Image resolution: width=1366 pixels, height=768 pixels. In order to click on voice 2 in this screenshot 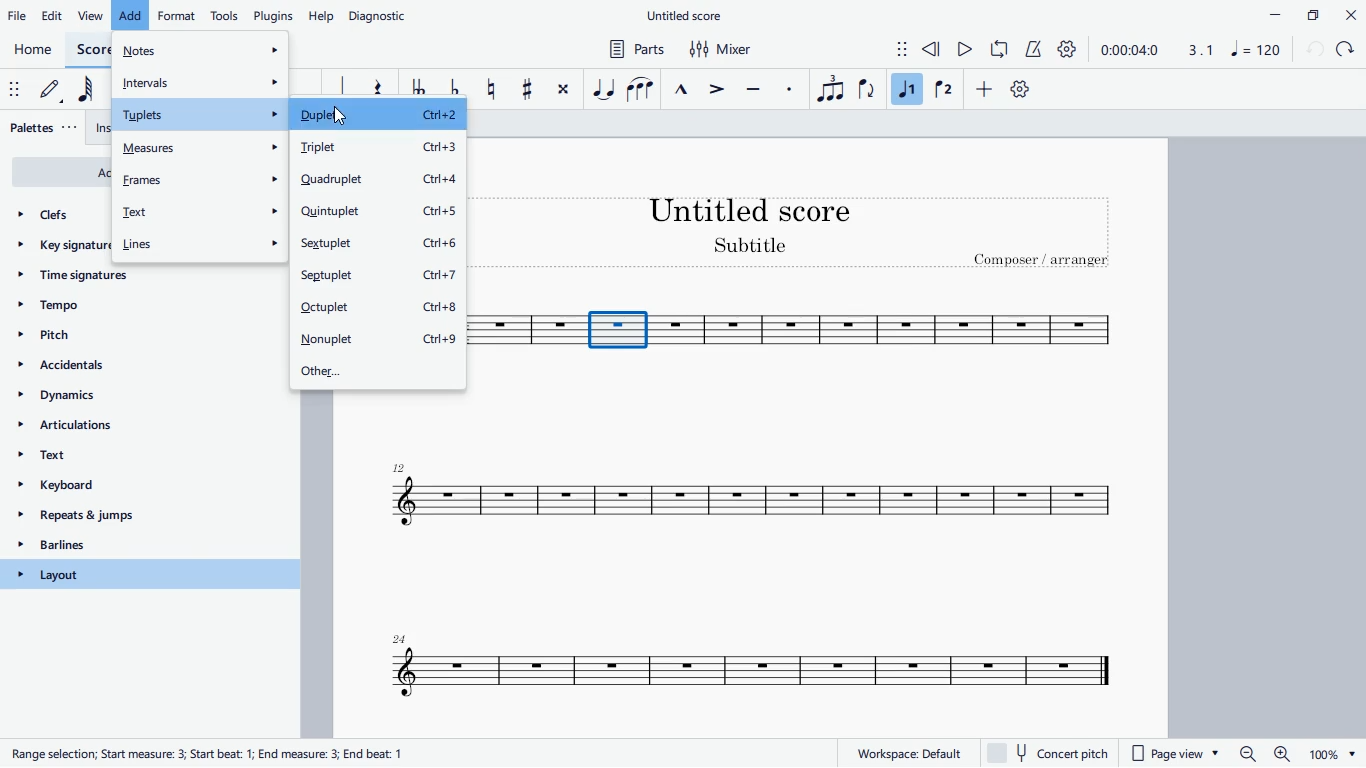, I will do `click(943, 91)`.